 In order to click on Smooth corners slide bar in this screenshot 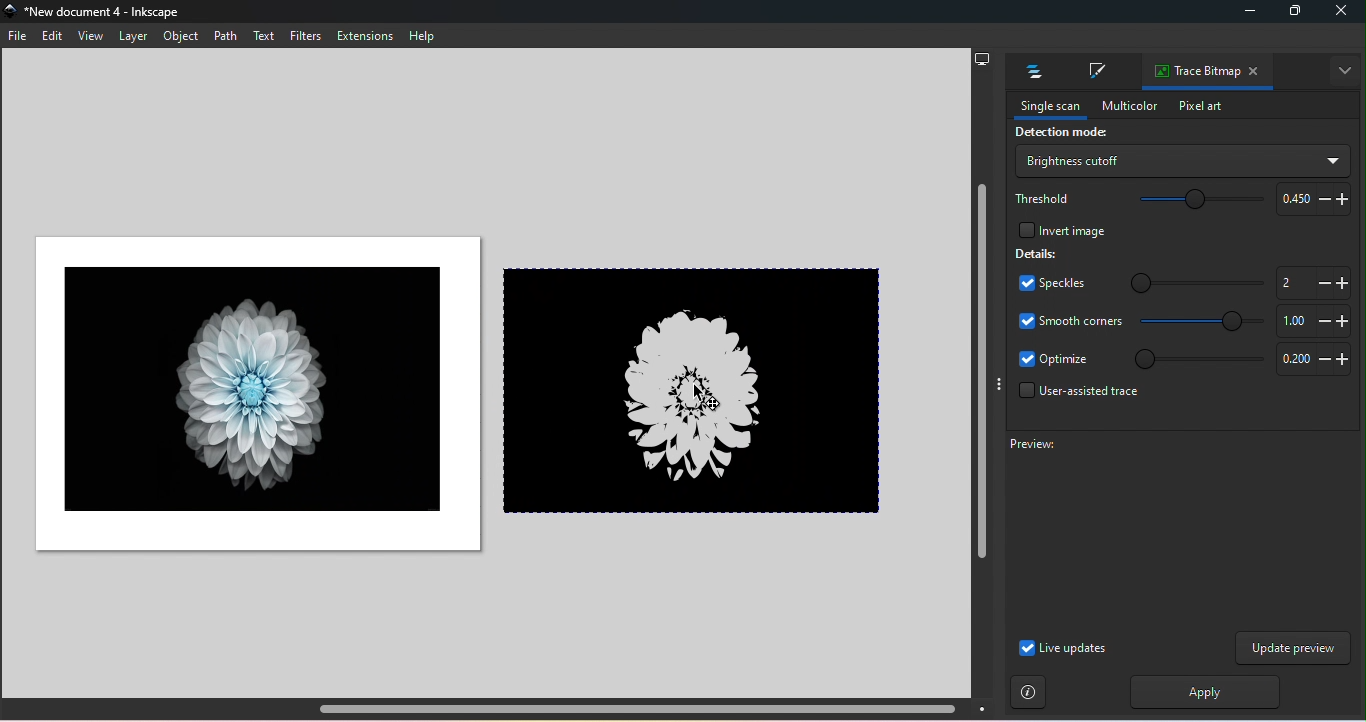, I will do `click(1203, 322)`.